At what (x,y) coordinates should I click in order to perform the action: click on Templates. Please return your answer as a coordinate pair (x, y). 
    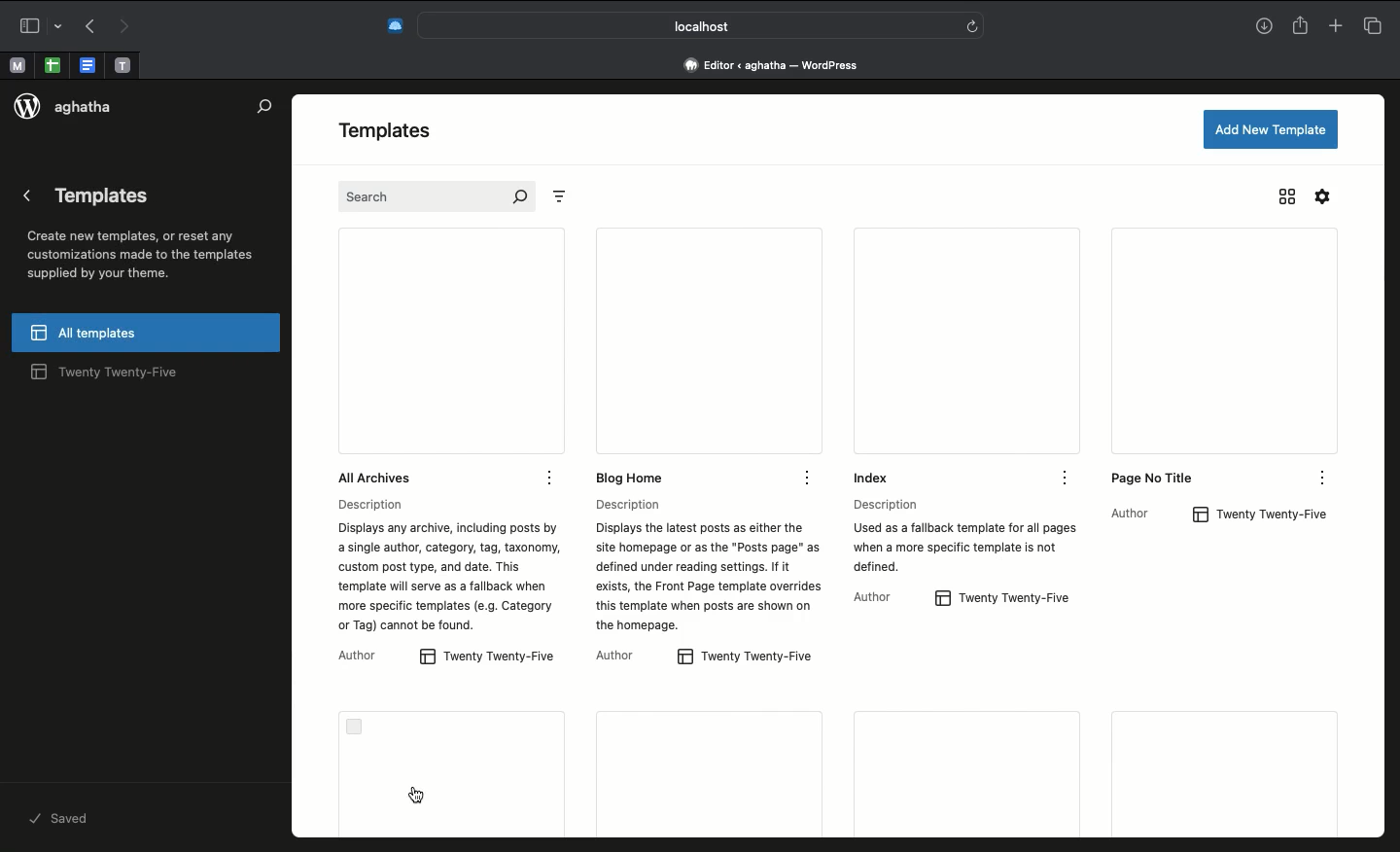
    Looking at the image, I should click on (384, 132).